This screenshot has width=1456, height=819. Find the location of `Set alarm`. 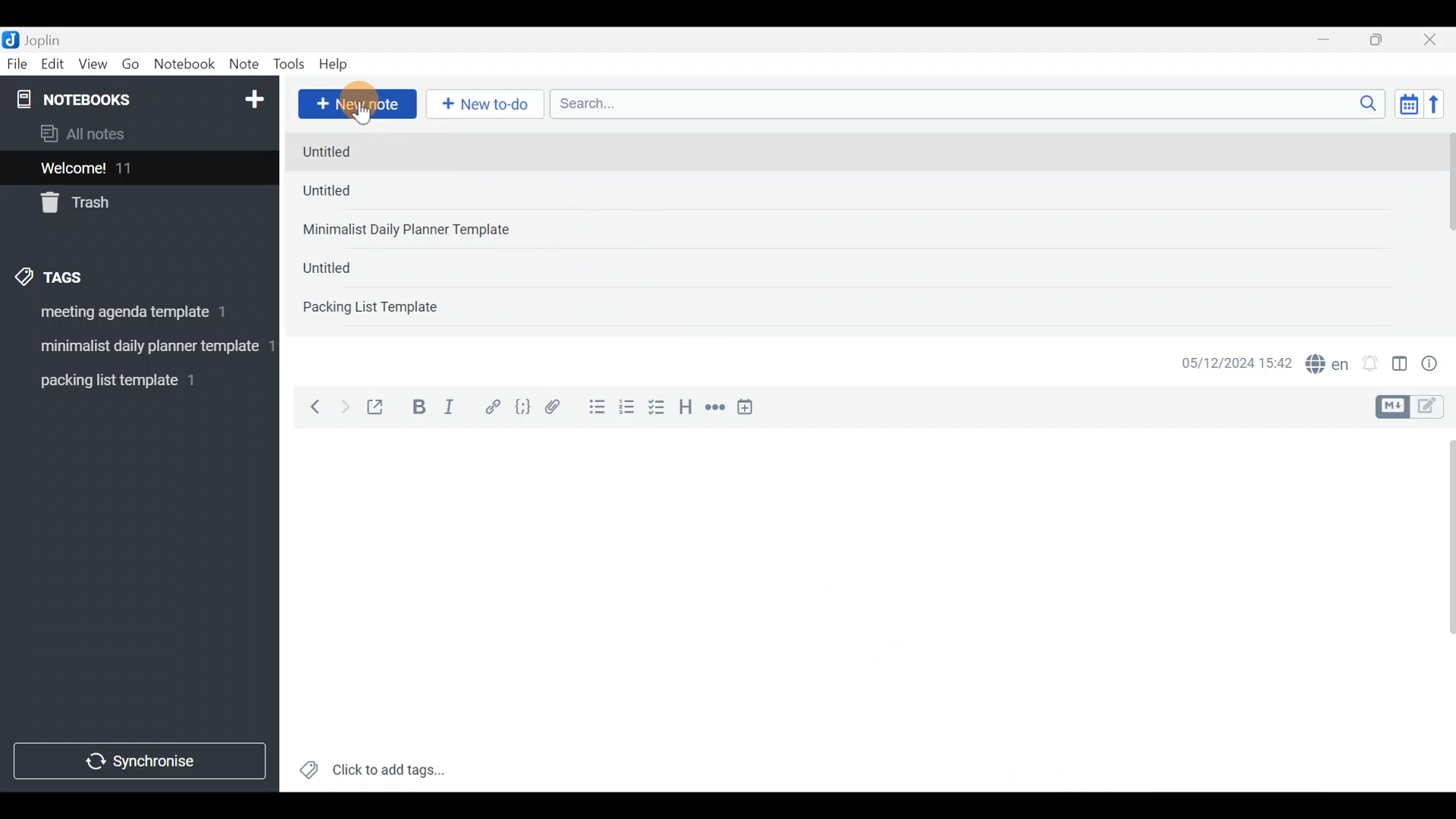

Set alarm is located at coordinates (1371, 365).